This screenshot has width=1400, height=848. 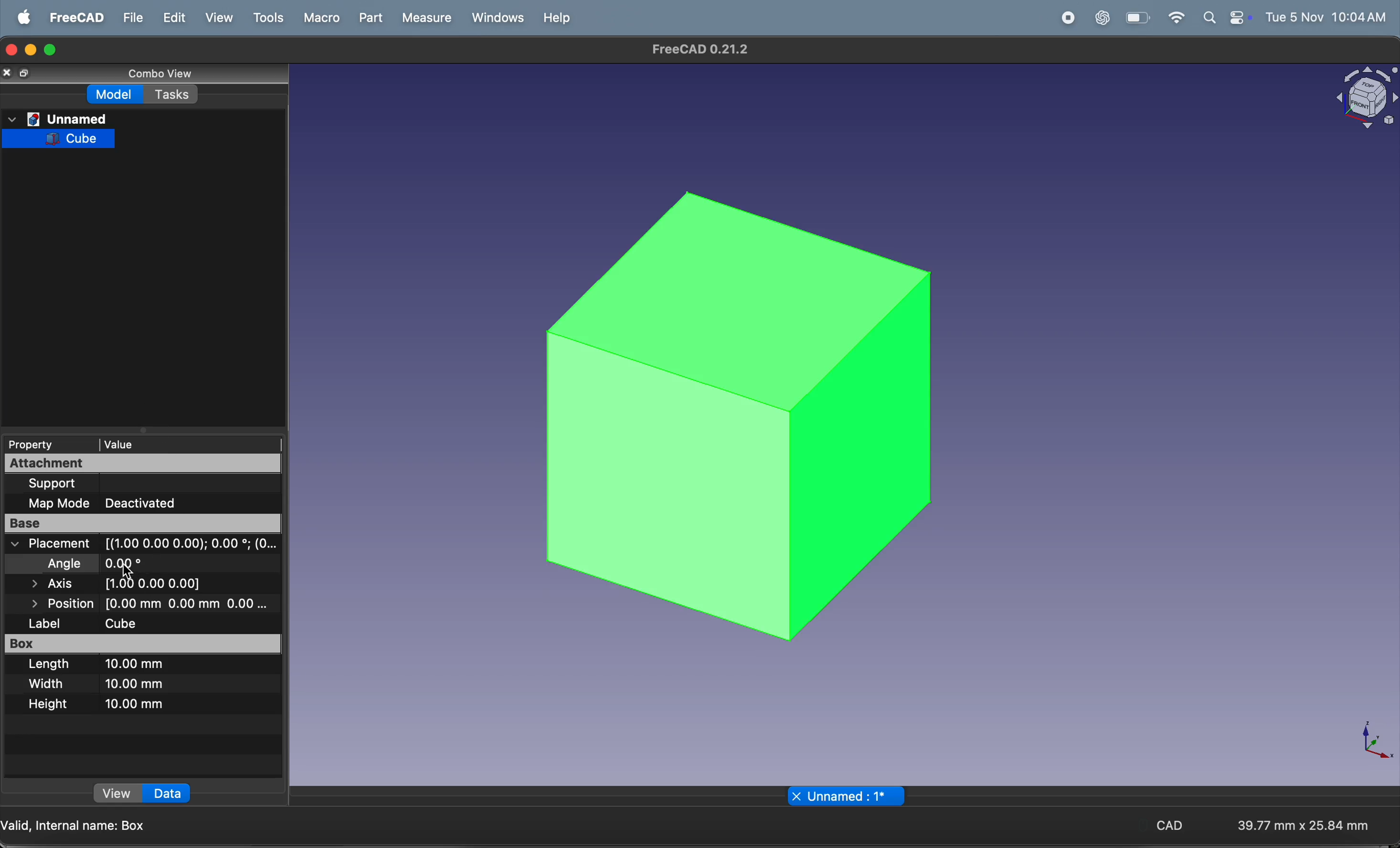 What do you see at coordinates (139, 704) in the screenshot?
I see `10mm` at bounding box center [139, 704].